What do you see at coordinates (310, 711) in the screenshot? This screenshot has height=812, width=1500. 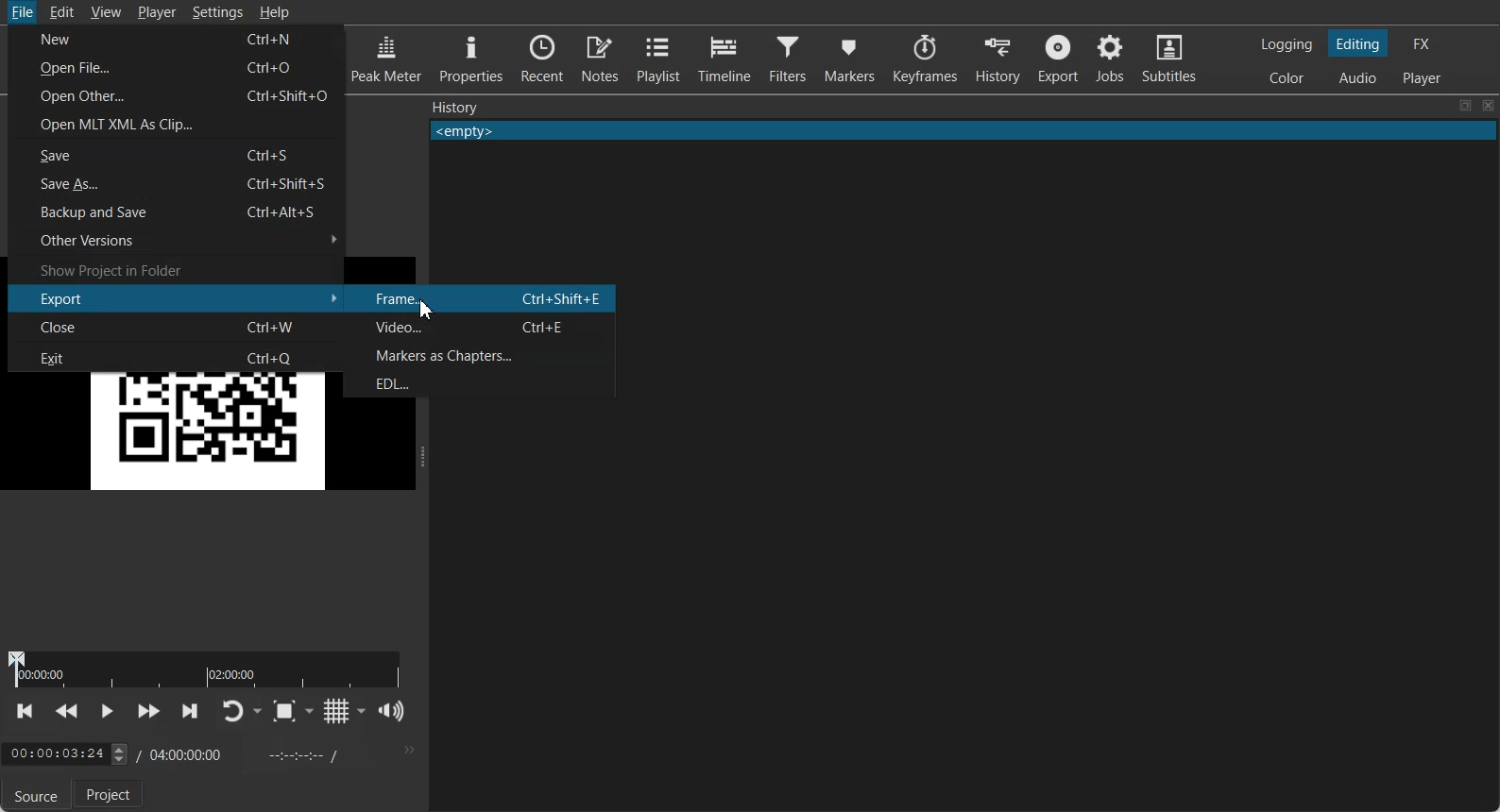 I see `Drop down box` at bounding box center [310, 711].